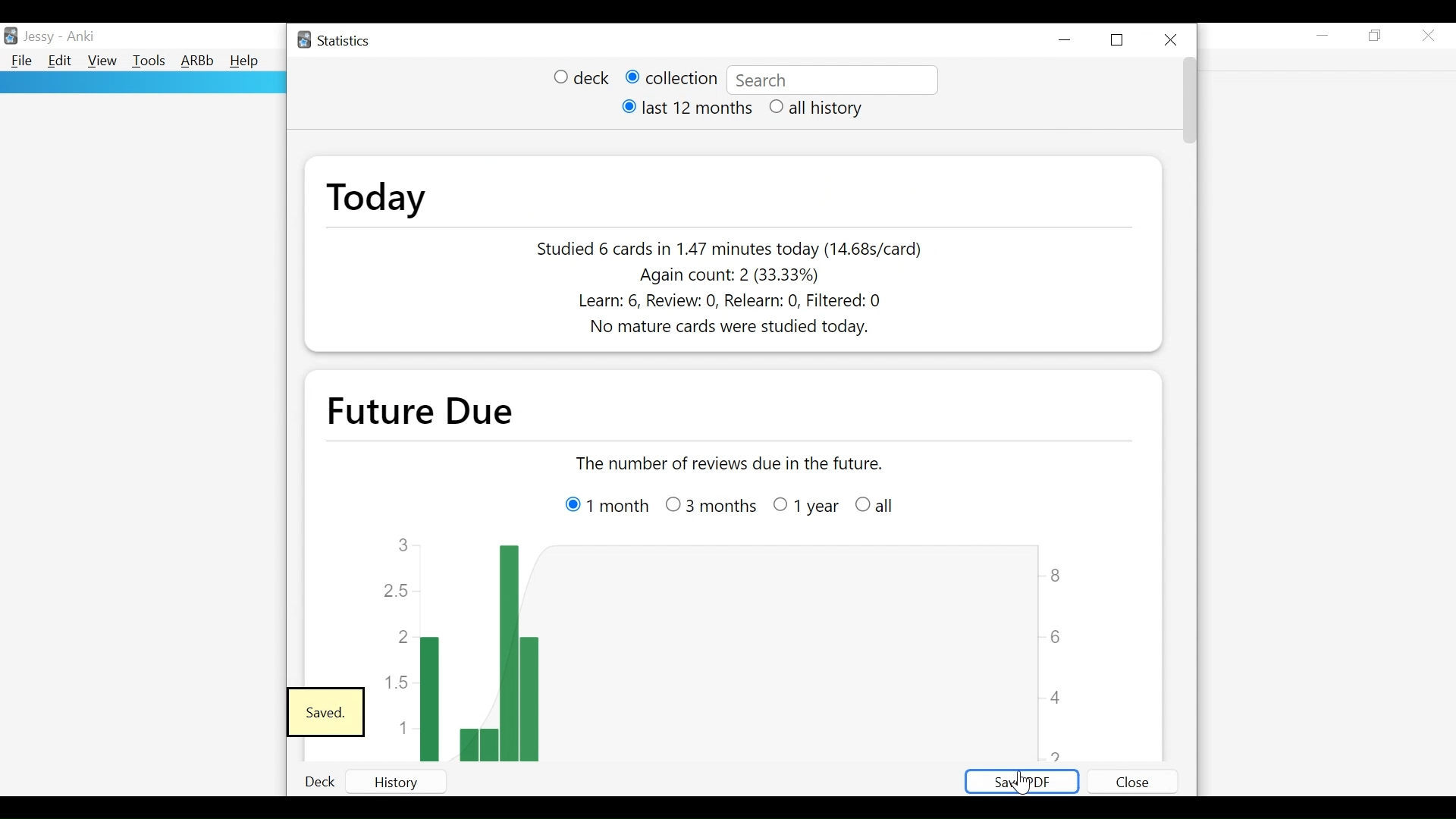  Describe the element at coordinates (149, 62) in the screenshot. I see `Tools` at that location.